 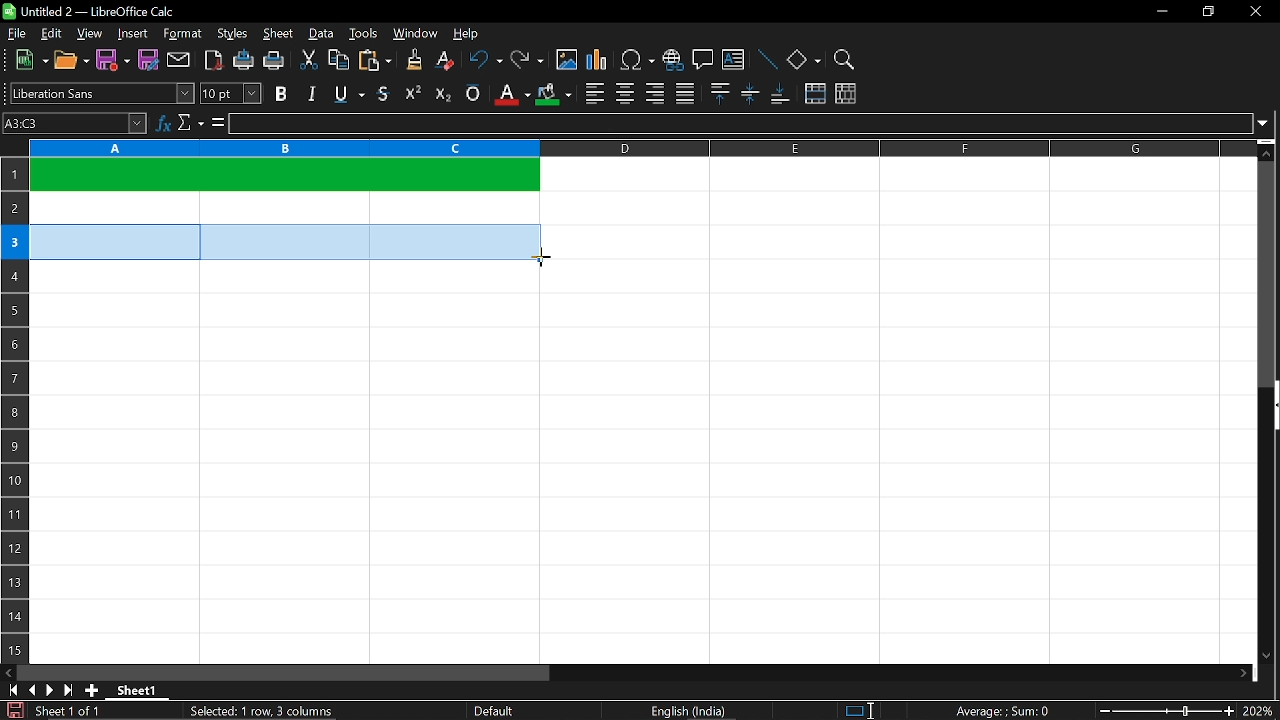 What do you see at coordinates (232, 35) in the screenshot?
I see `styles` at bounding box center [232, 35].